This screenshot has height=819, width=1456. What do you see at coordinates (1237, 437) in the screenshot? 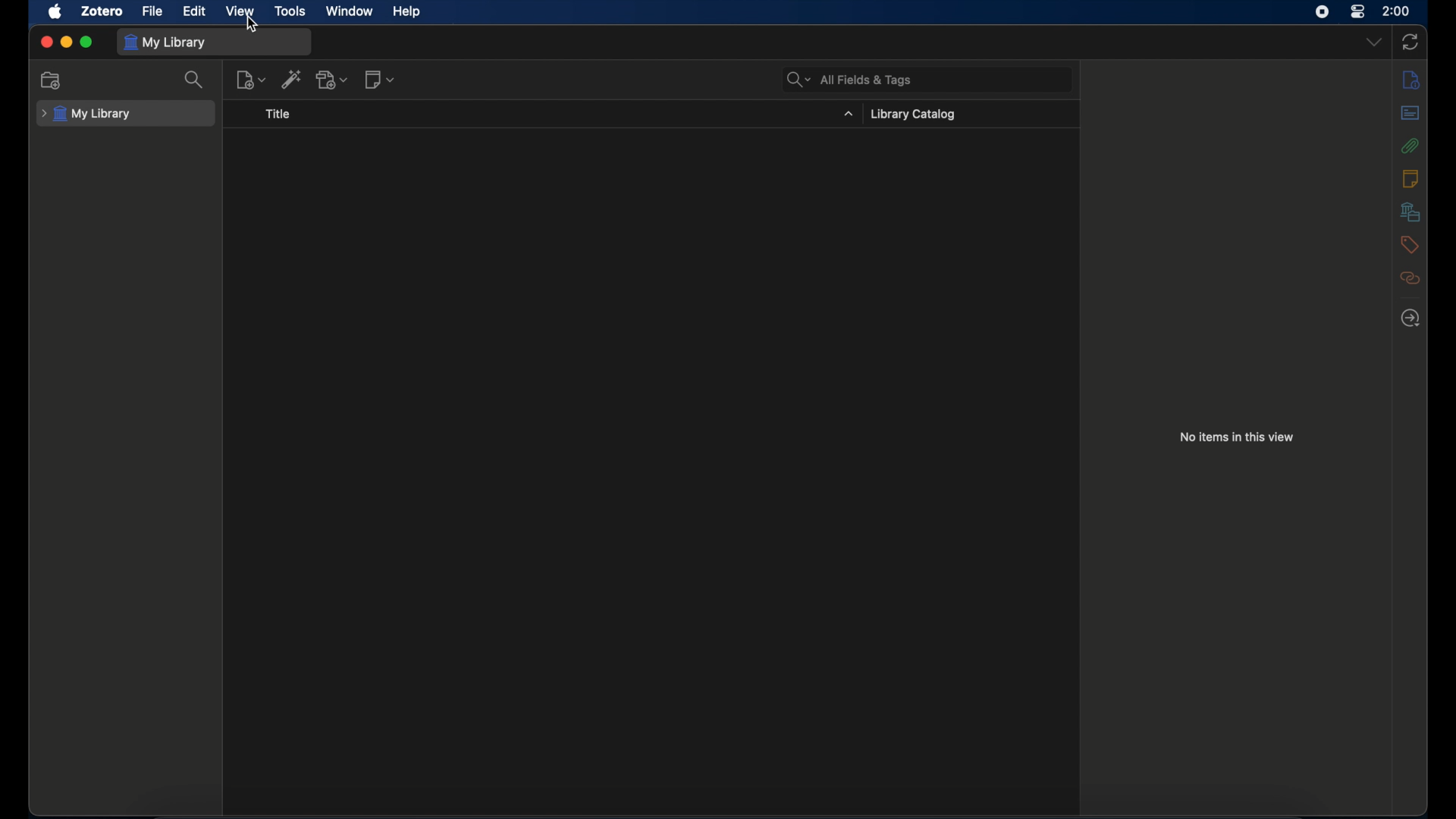
I see `no items in this view` at bounding box center [1237, 437].